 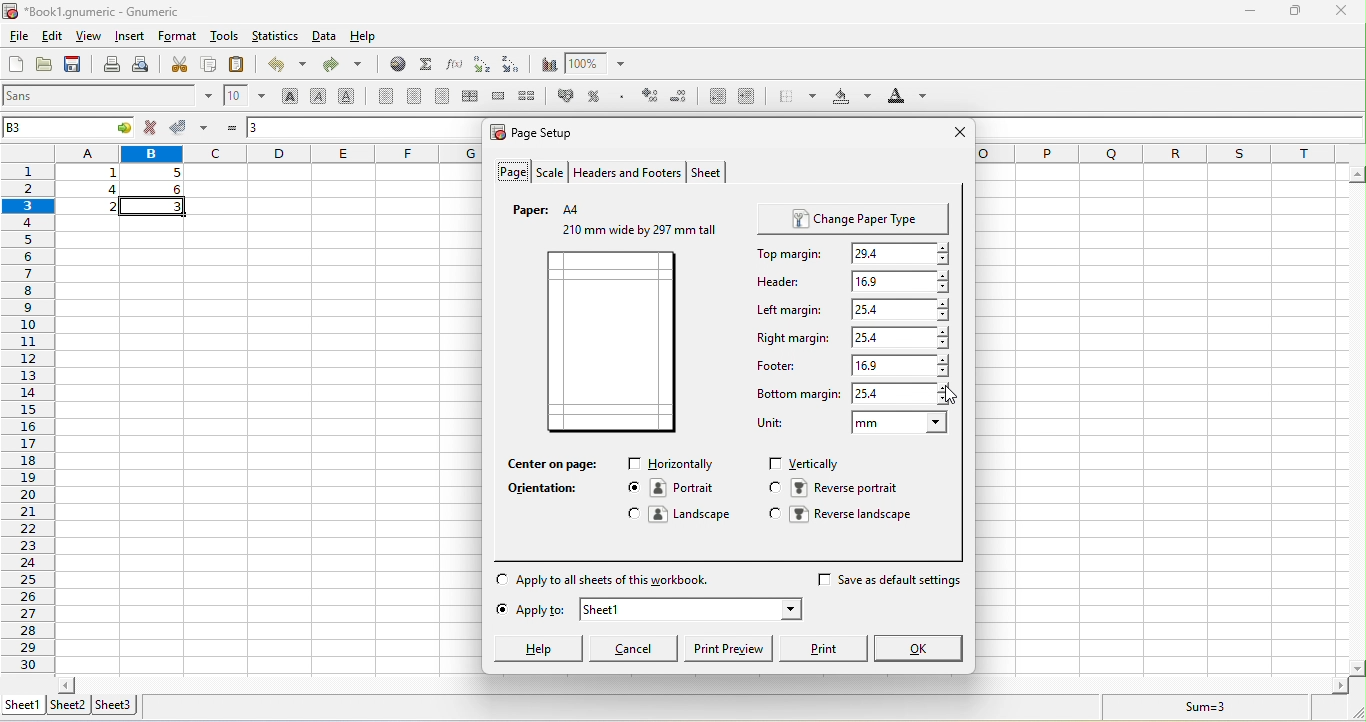 I want to click on sheet 2, so click(x=68, y=706).